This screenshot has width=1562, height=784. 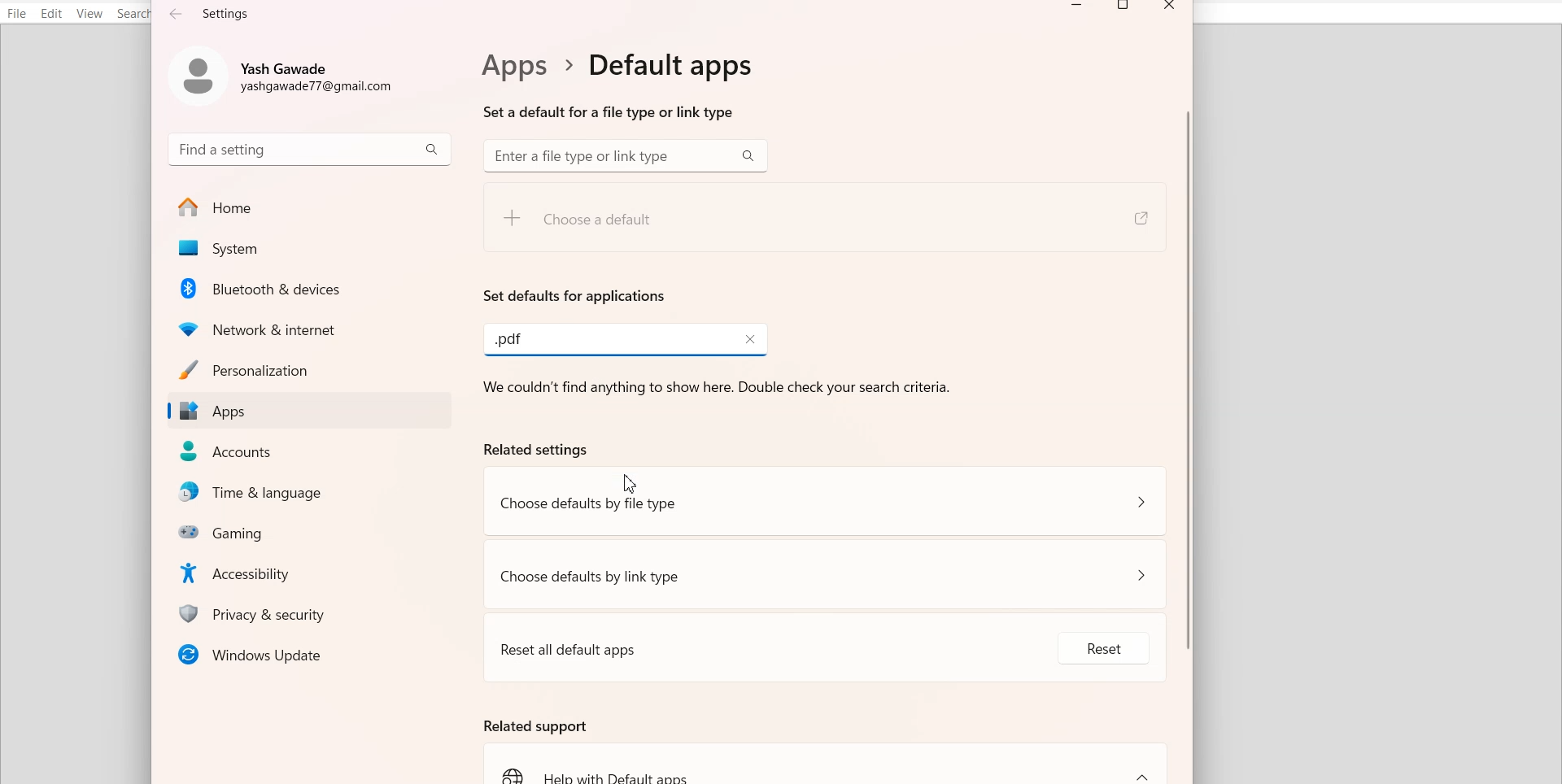 I want to click on Gaming, so click(x=314, y=531).